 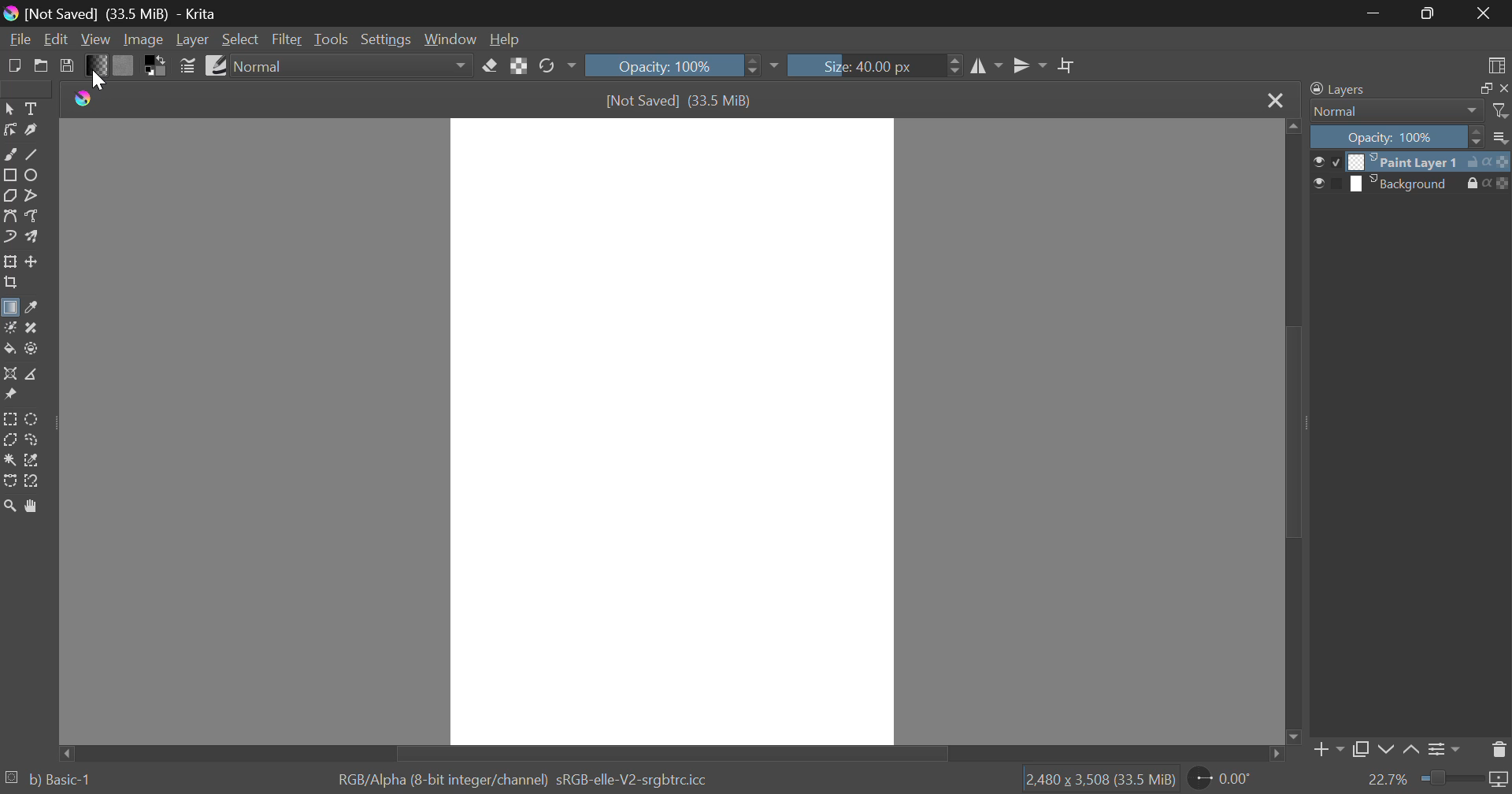 I want to click on Scroll Bar, so click(x=1291, y=433).